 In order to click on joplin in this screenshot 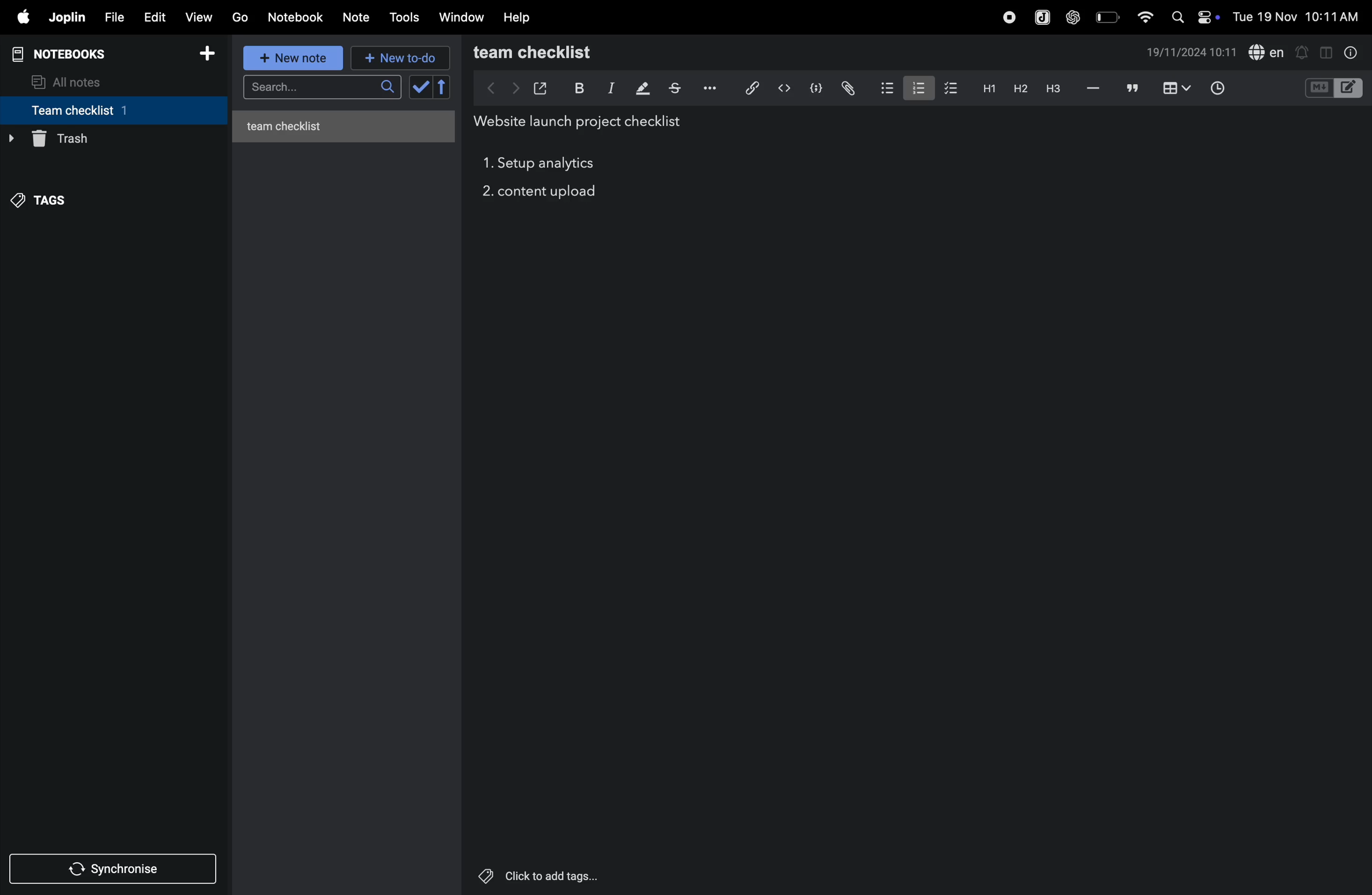, I will do `click(68, 18)`.